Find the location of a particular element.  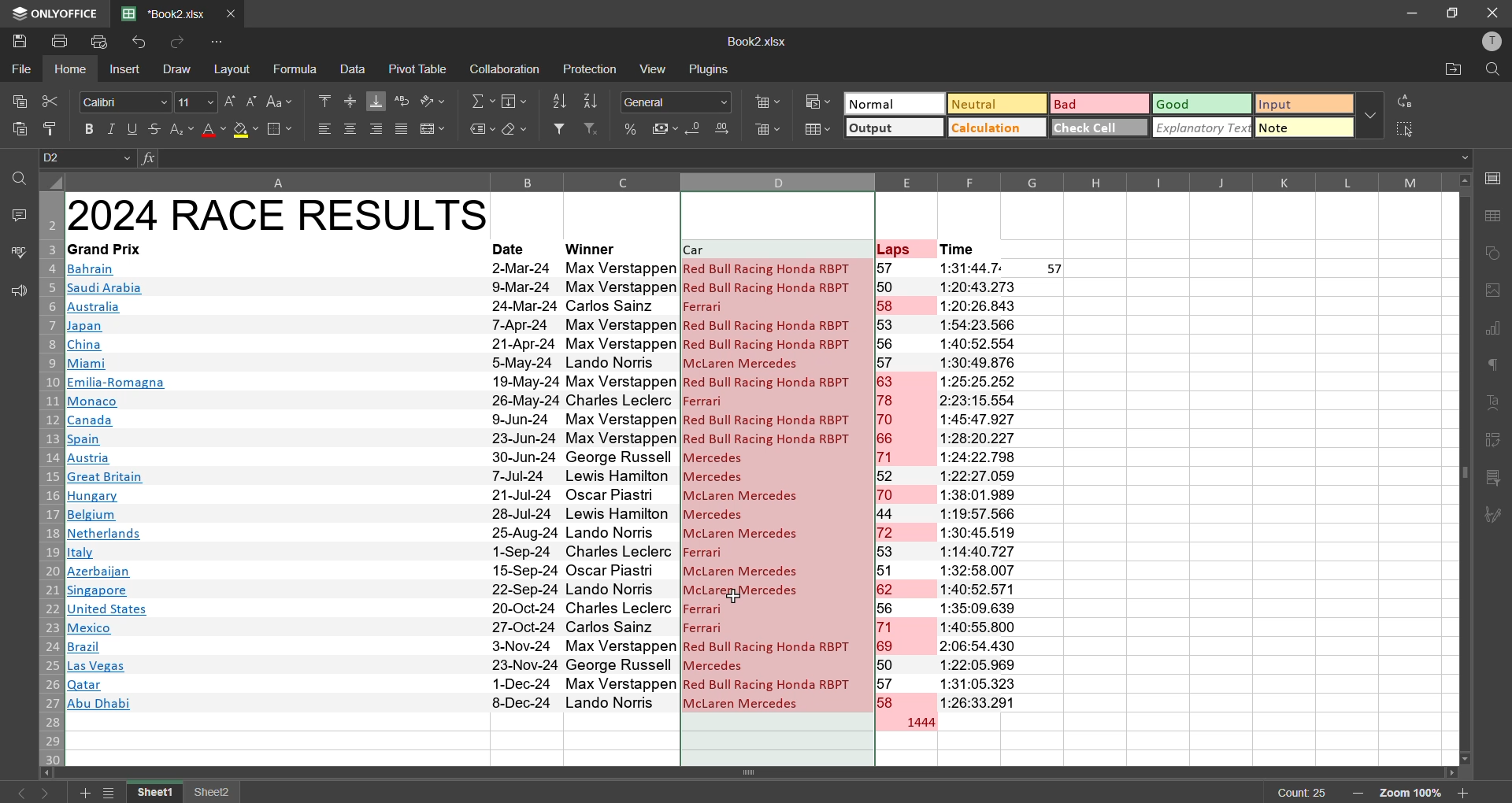

Country is located at coordinates (117, 489).